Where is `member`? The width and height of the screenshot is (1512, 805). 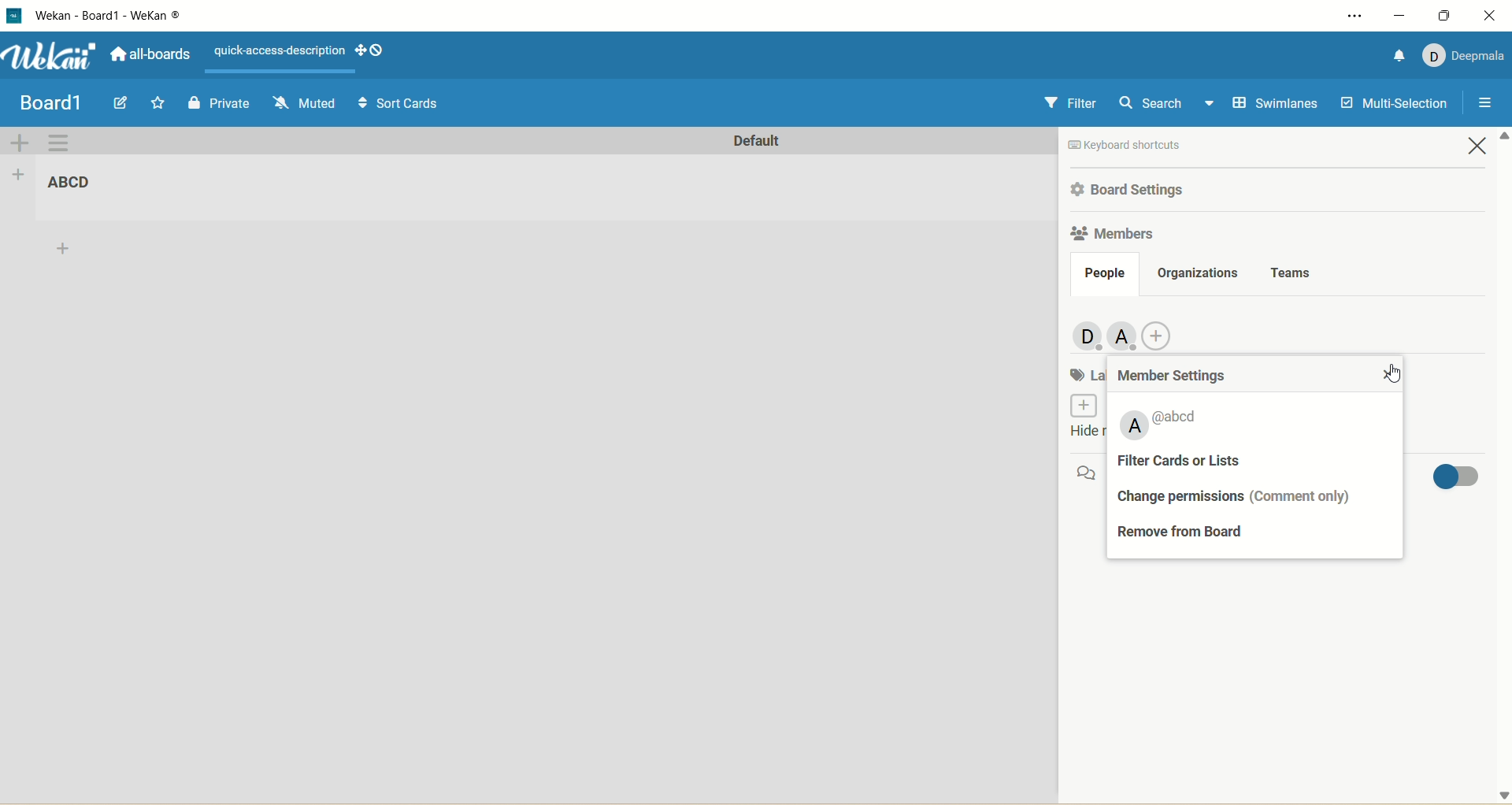 member is located at coordinates (1160, 423).